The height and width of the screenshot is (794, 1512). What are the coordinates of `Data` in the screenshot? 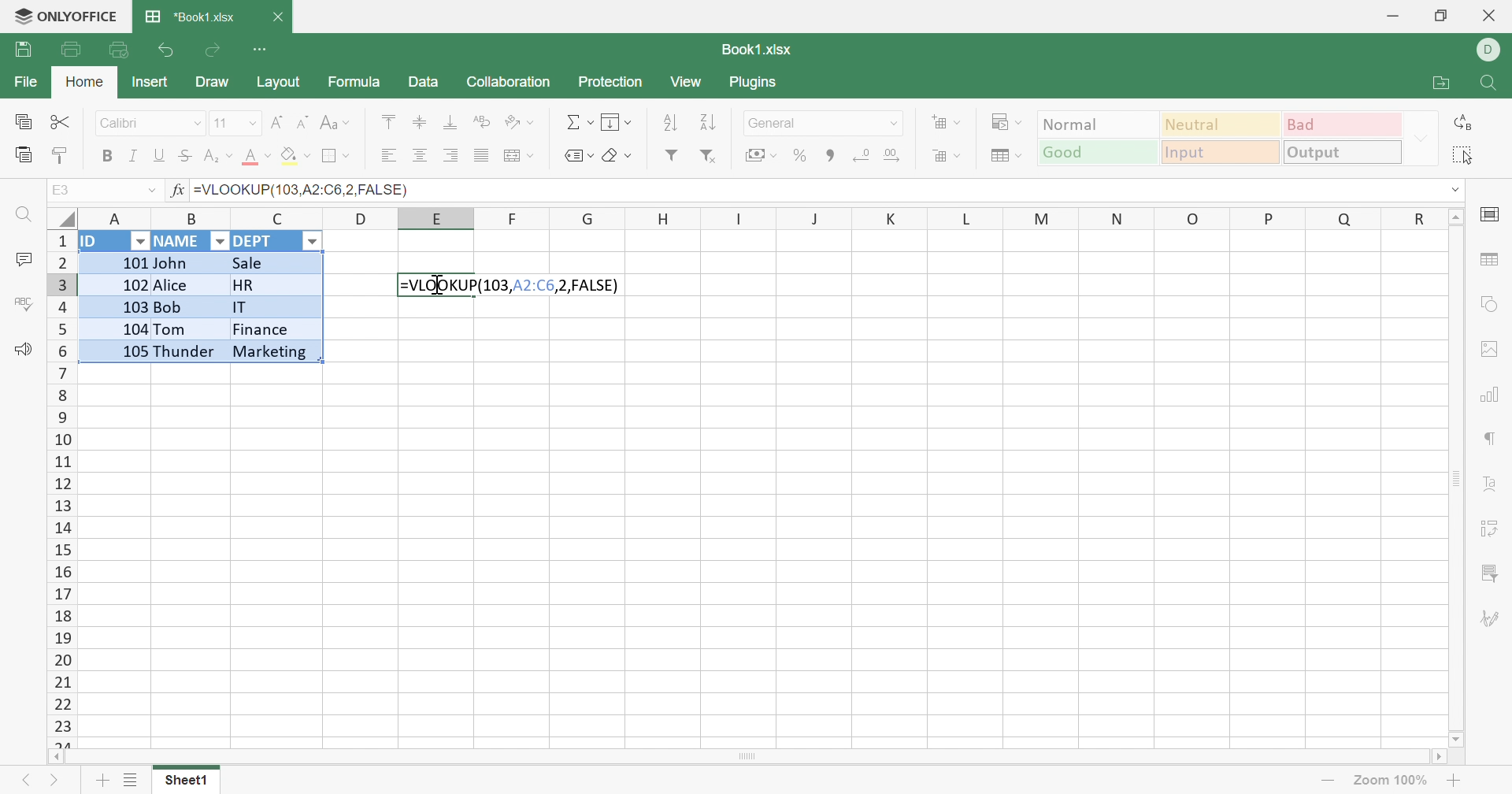 It's located at (426, 82).